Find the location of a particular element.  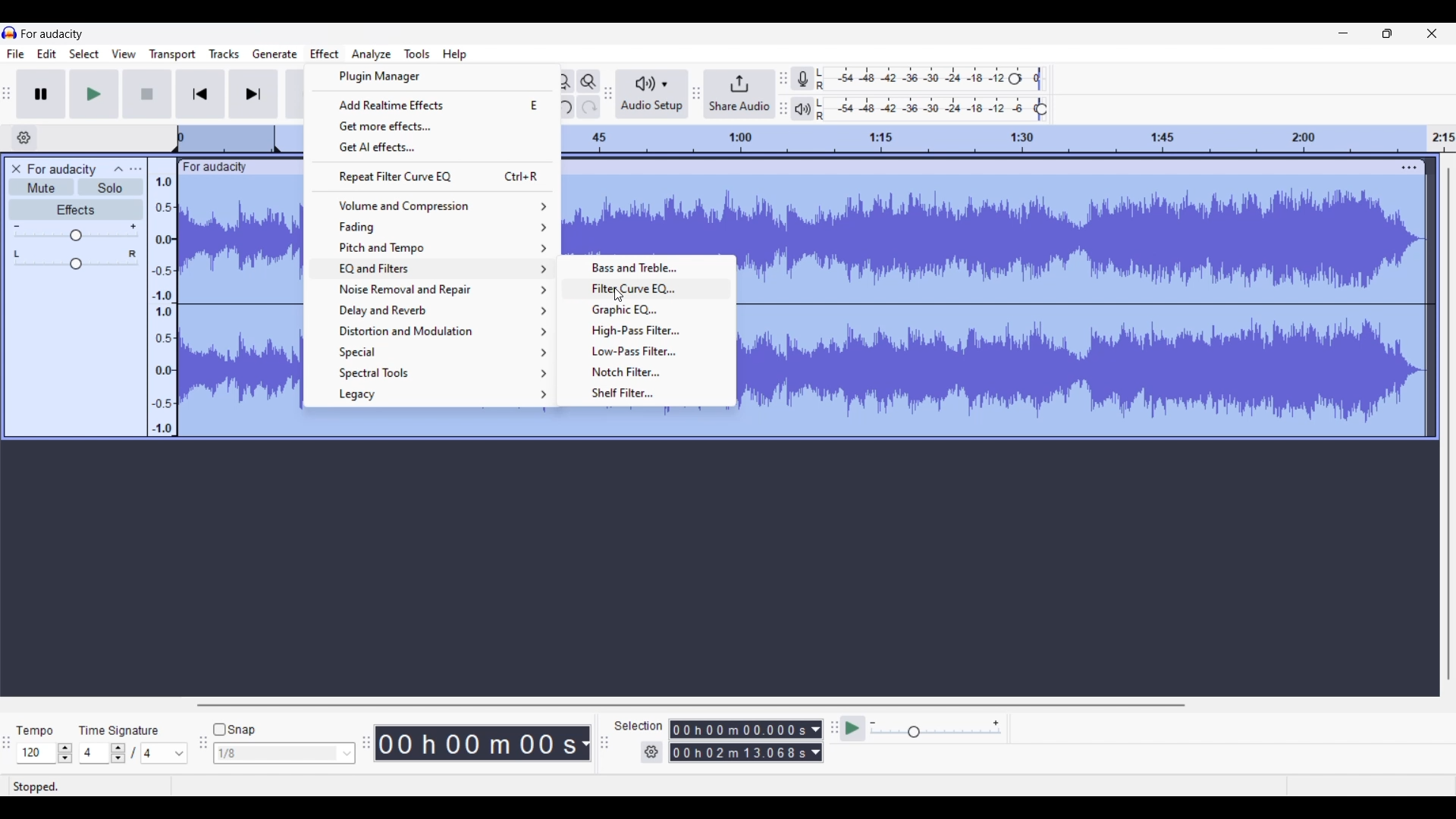

Stop is located at coordinates (147, 93).